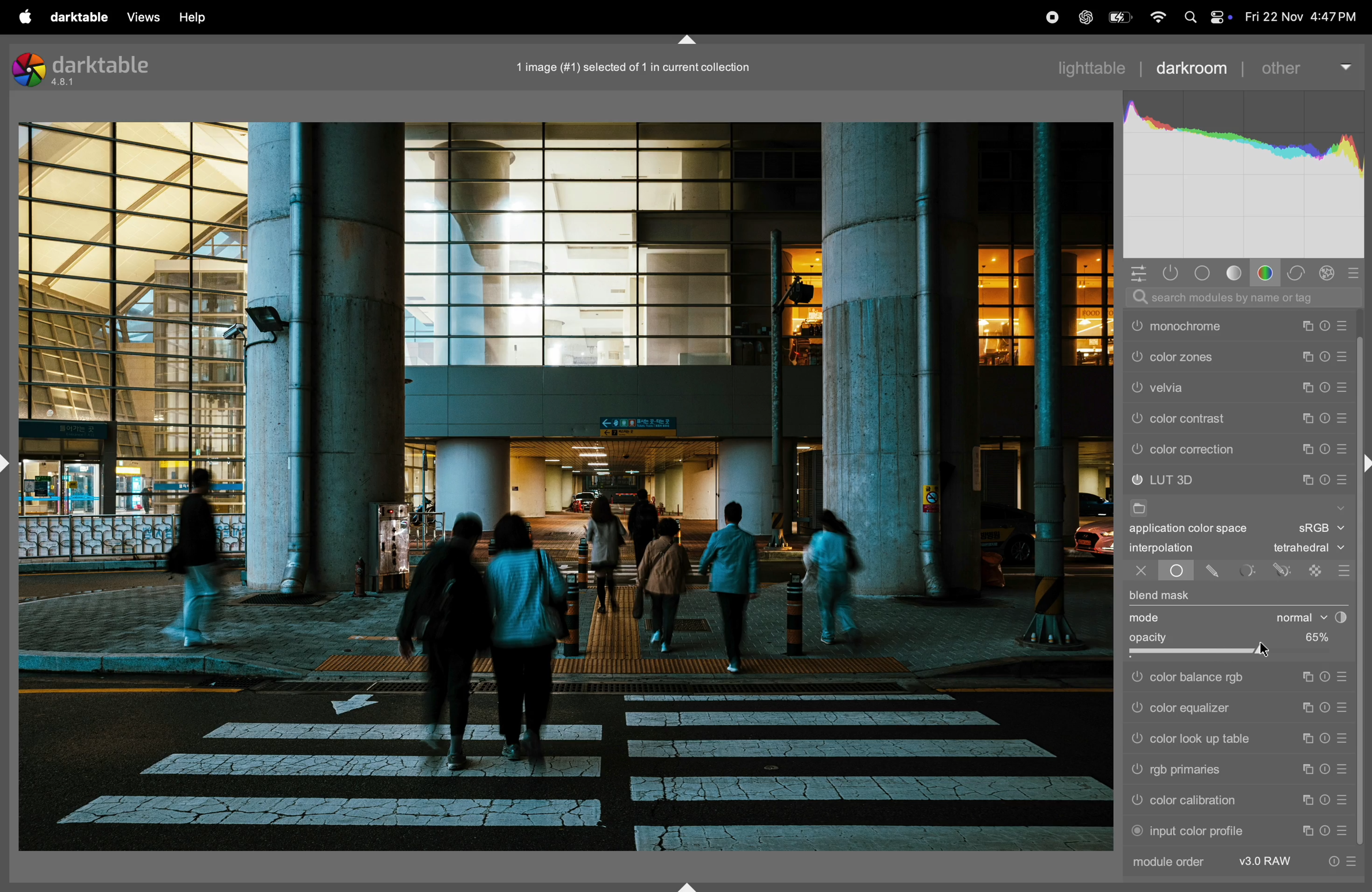 This screenshot has width=1372, height=892. Describe the element at coordinates (1195, 67) in the screenshot. I see `dark room` at that location.